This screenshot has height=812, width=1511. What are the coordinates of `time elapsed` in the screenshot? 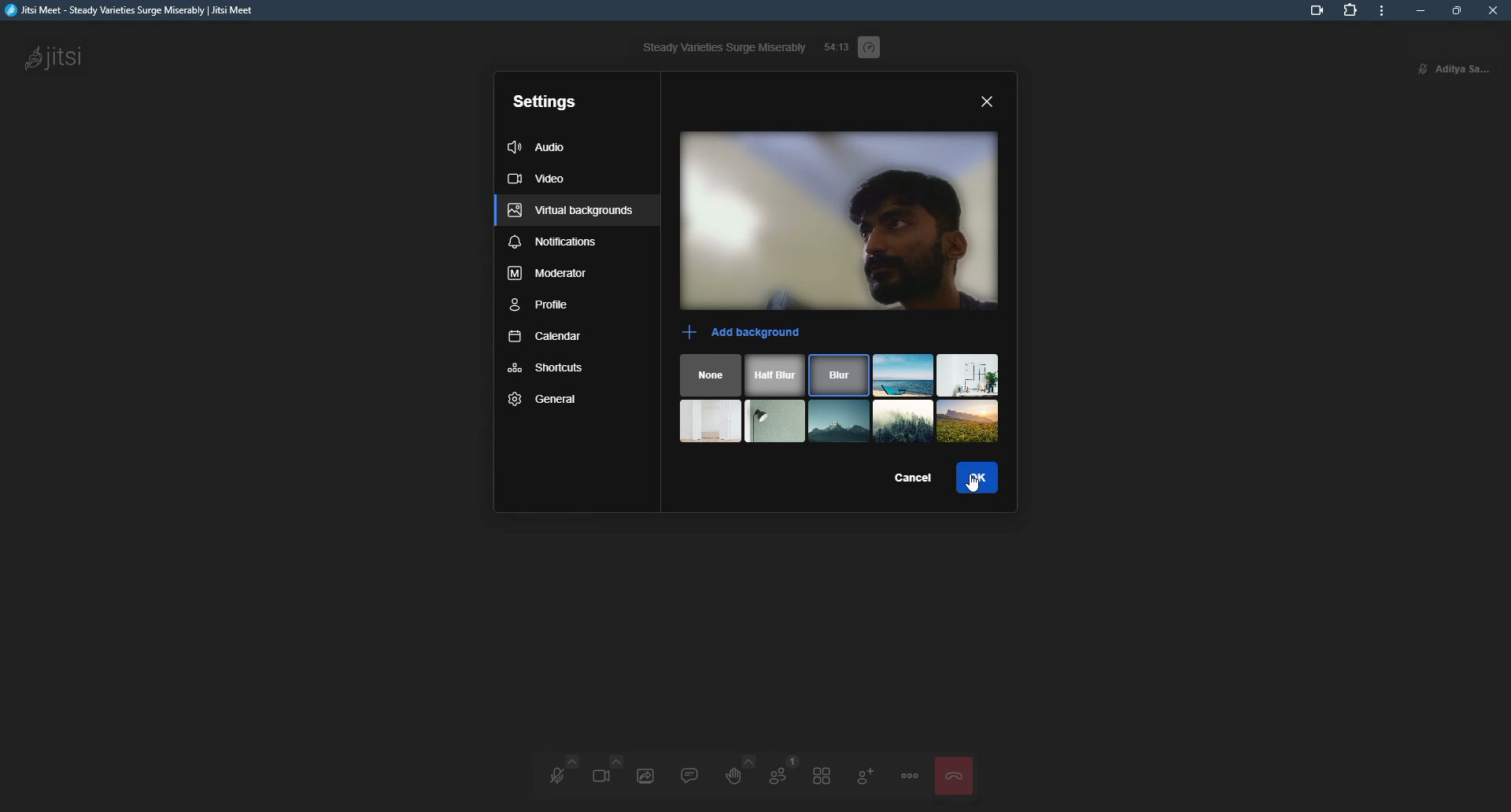 It's located at (834, 48).